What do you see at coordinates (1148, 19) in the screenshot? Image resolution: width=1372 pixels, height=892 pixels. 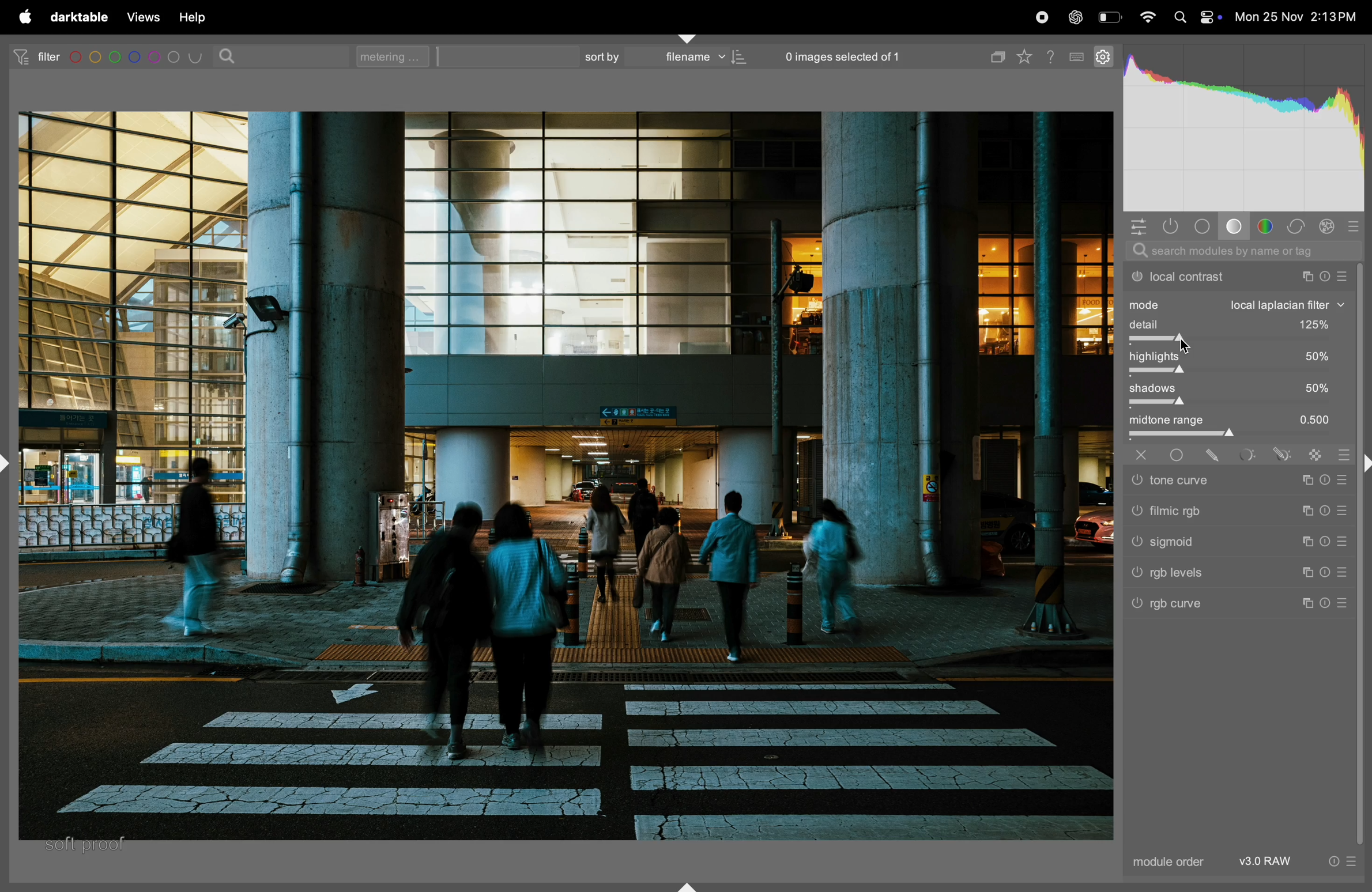 I see `wifi` at bounding box center [1148, 19].